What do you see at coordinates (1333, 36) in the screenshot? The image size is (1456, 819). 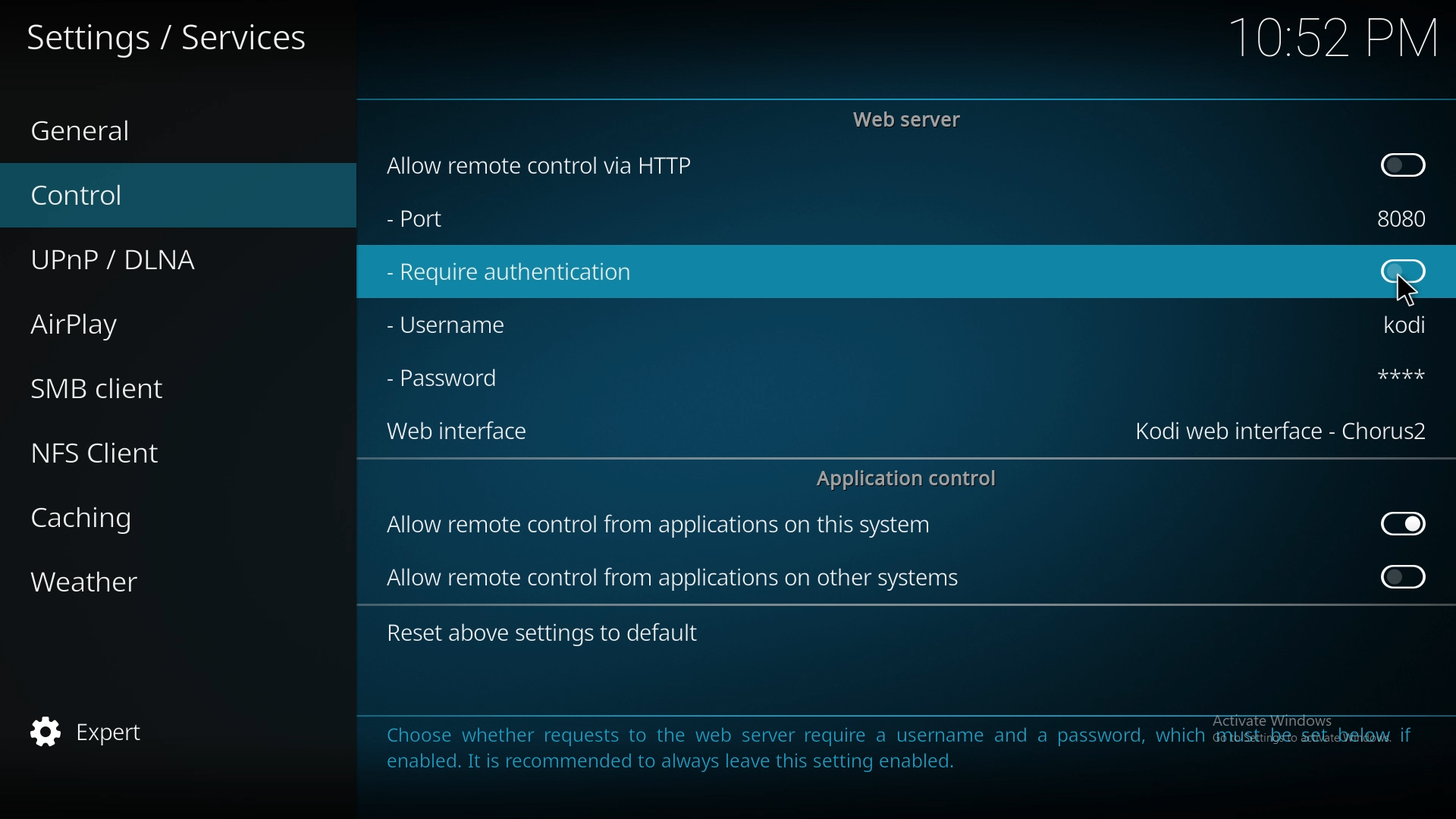 I see `time` at bounding box center [1333, 36].